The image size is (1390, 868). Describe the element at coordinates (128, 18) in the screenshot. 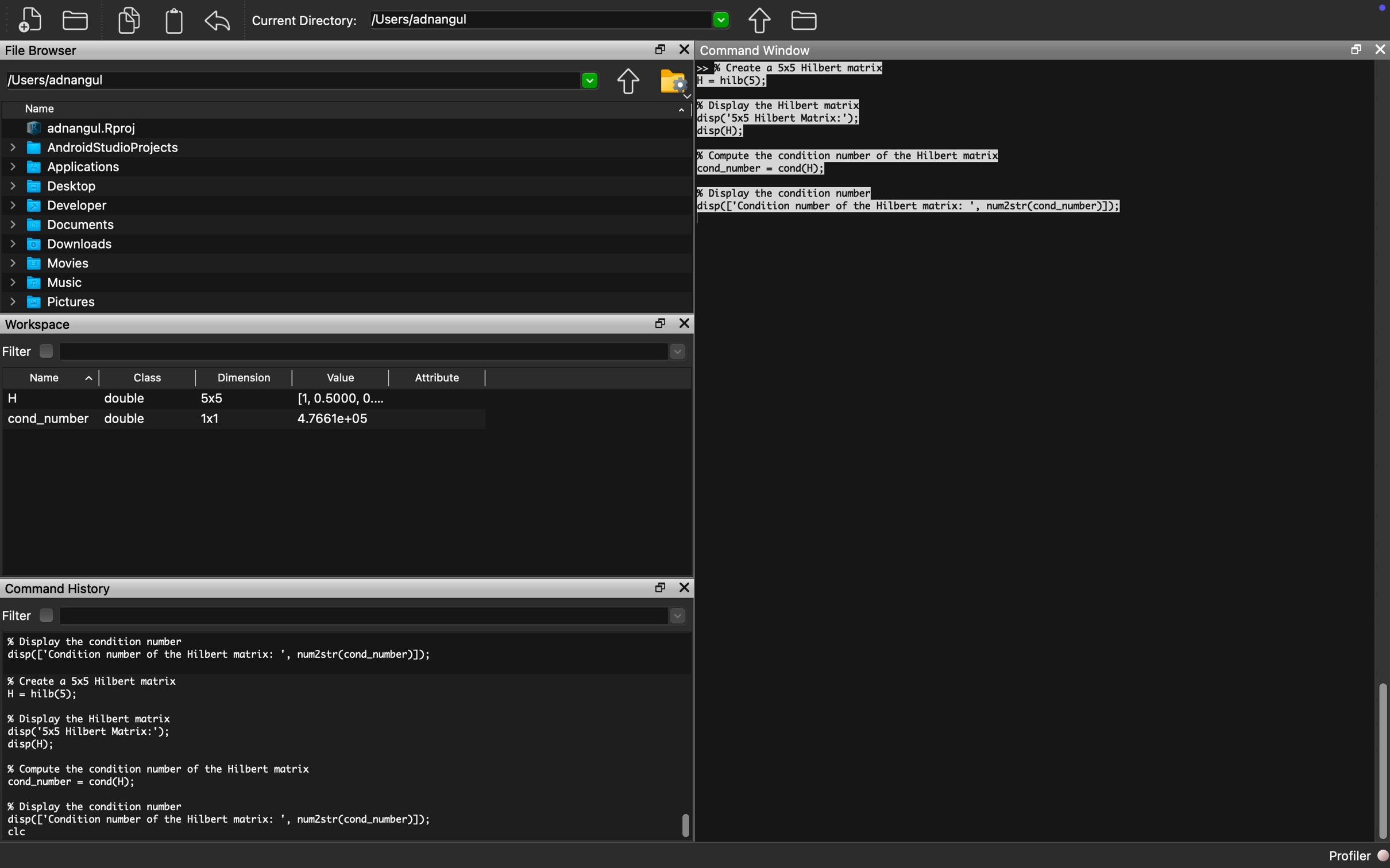

I see `Copy` at that location.